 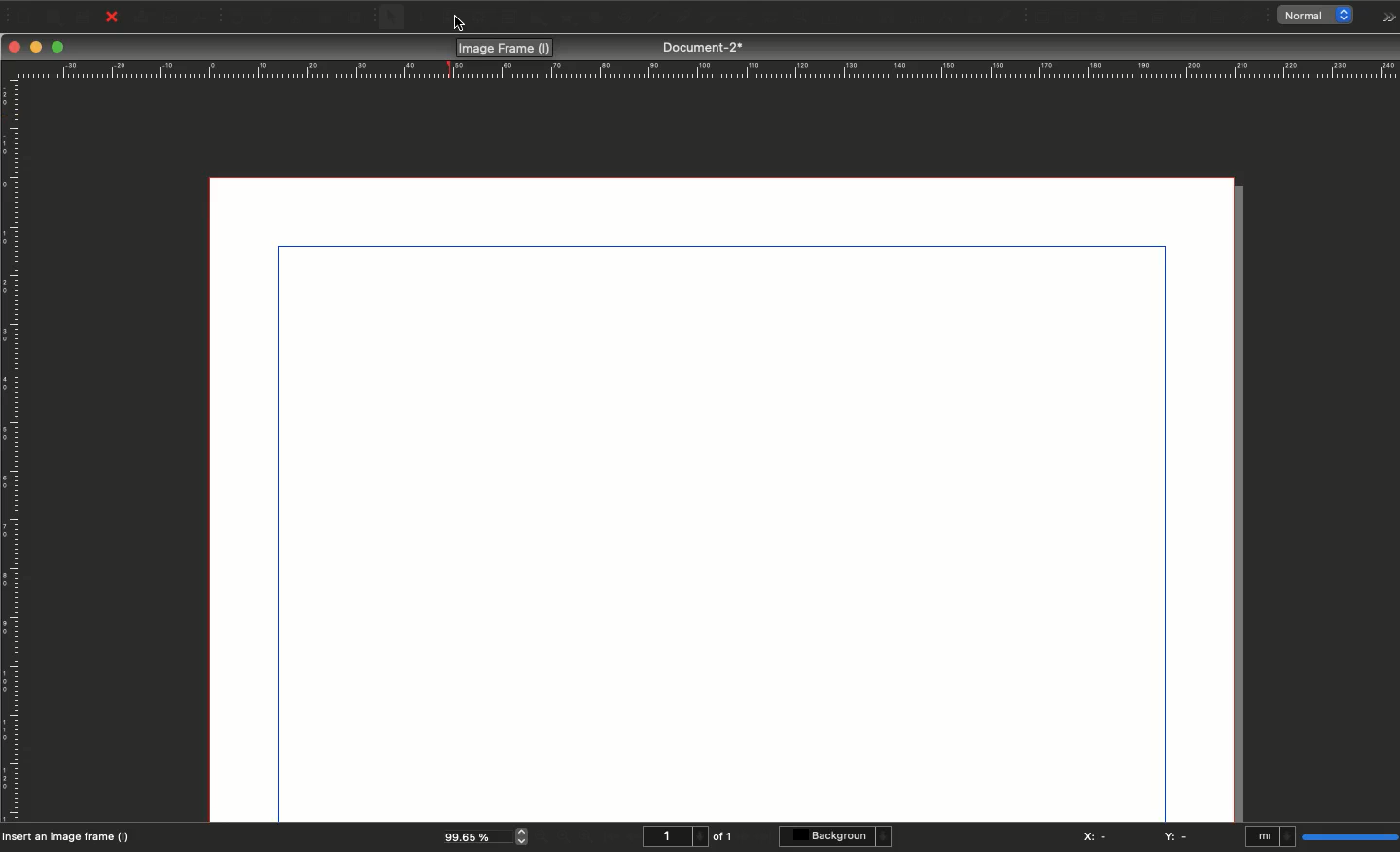 I want to click on Unlink text frames, so click(x=911, y=17).